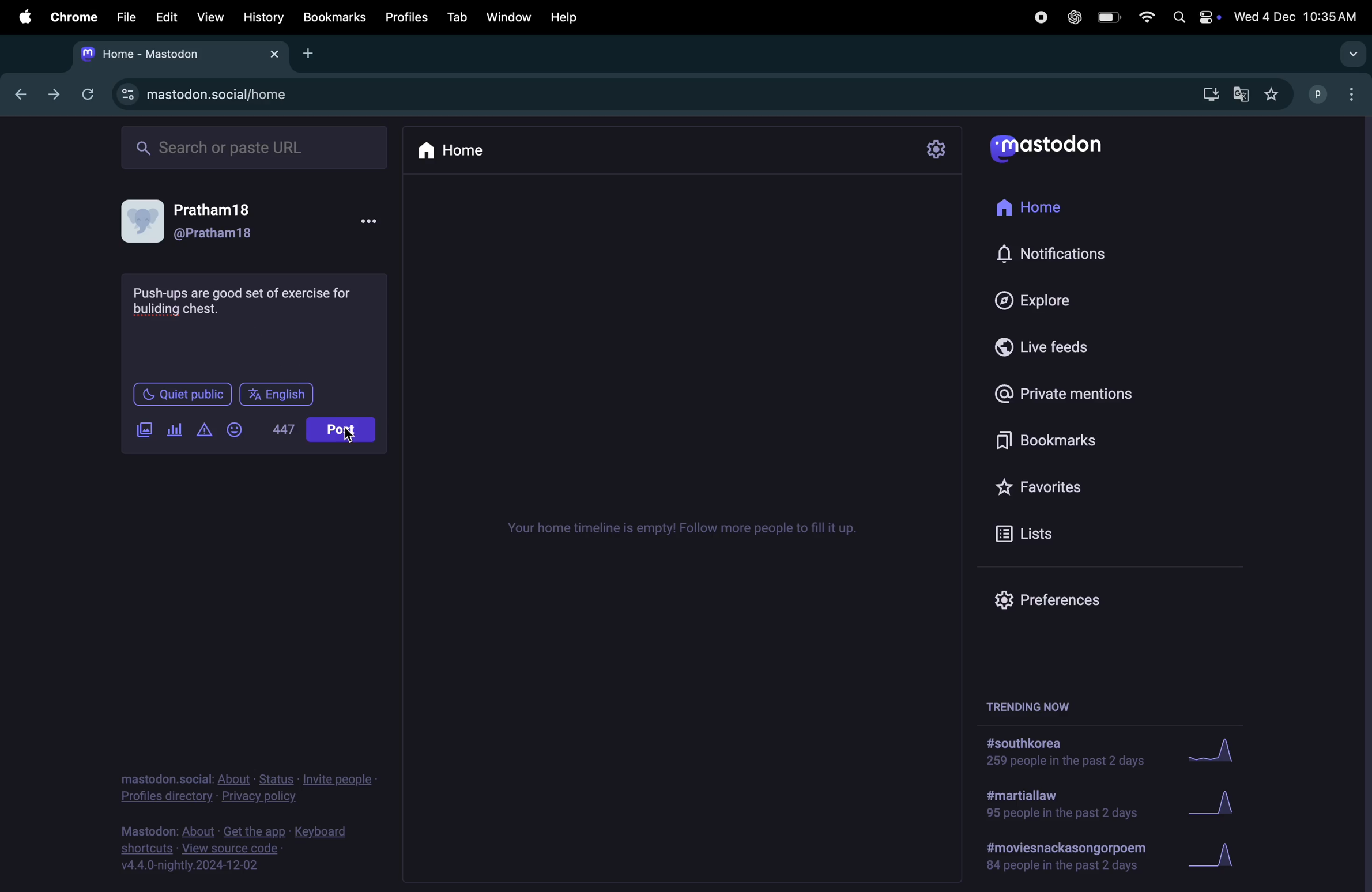 The image size is (1372, 892). I want to click on wifi, so click(1145, 18).